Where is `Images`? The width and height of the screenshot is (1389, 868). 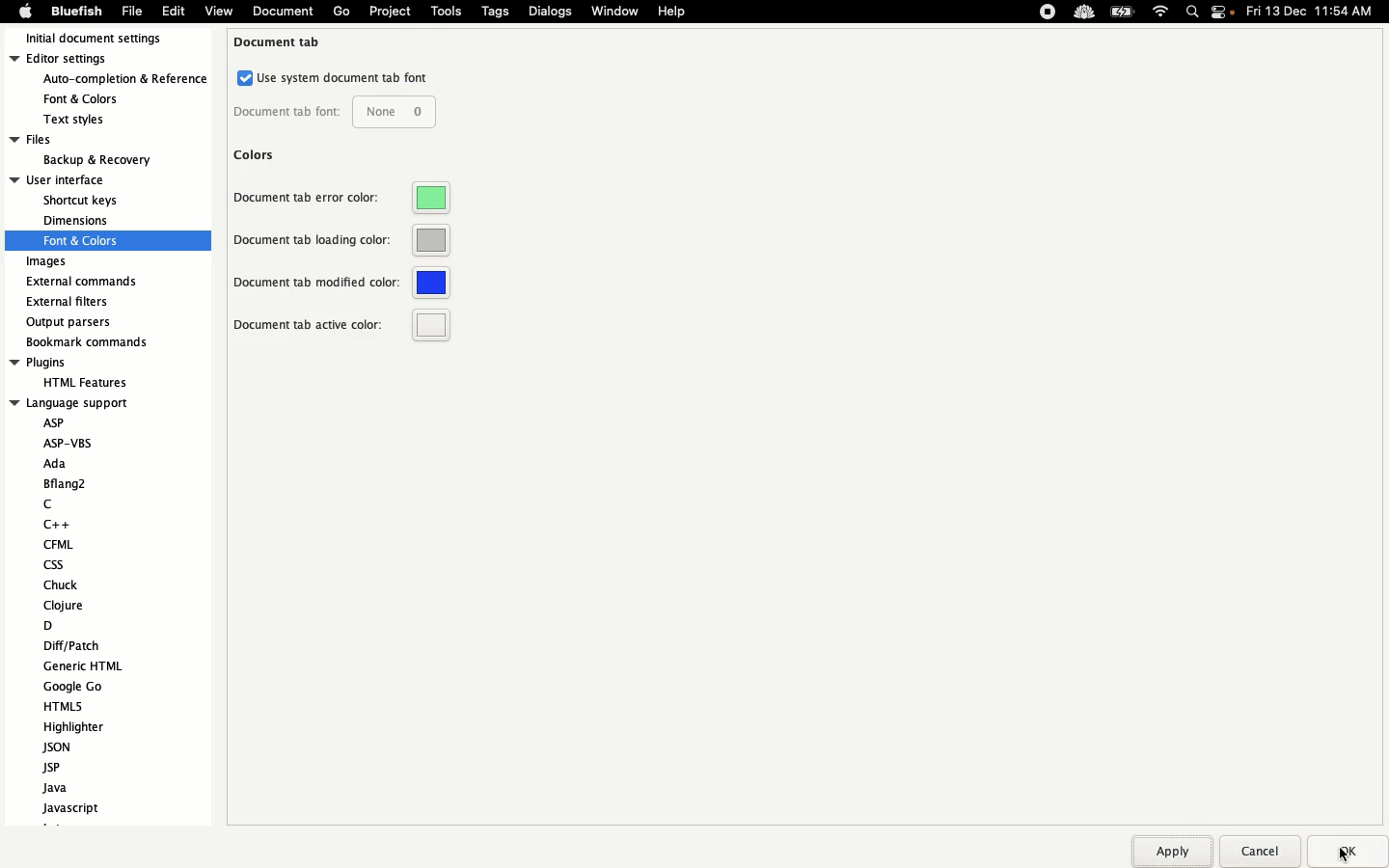
Images is located at coordinates (48, 262).